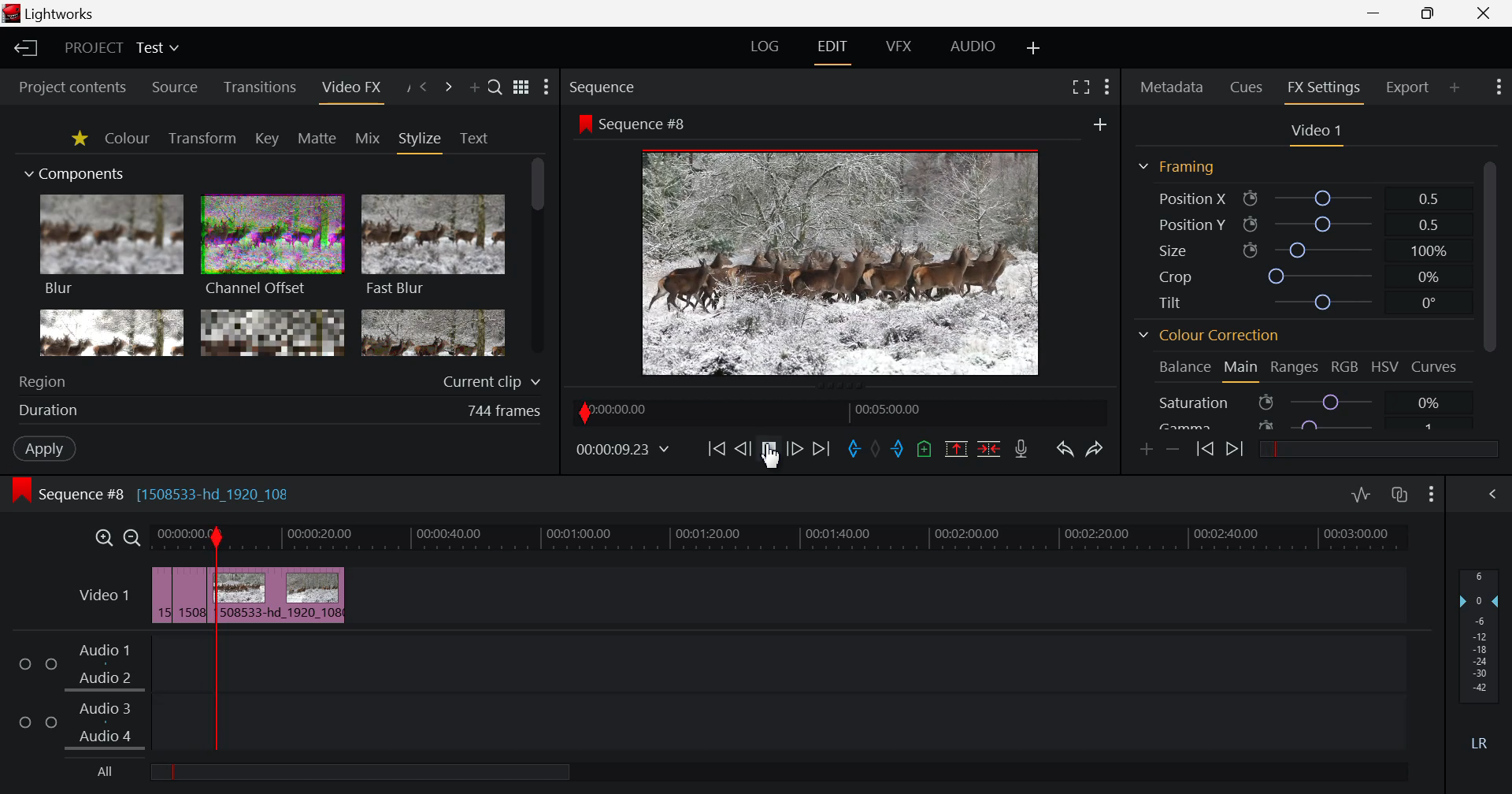  What do you see at coordinates (1480, 655) in the screenshot?
I see `Decibel Level` at bounding box center [1480, 655].